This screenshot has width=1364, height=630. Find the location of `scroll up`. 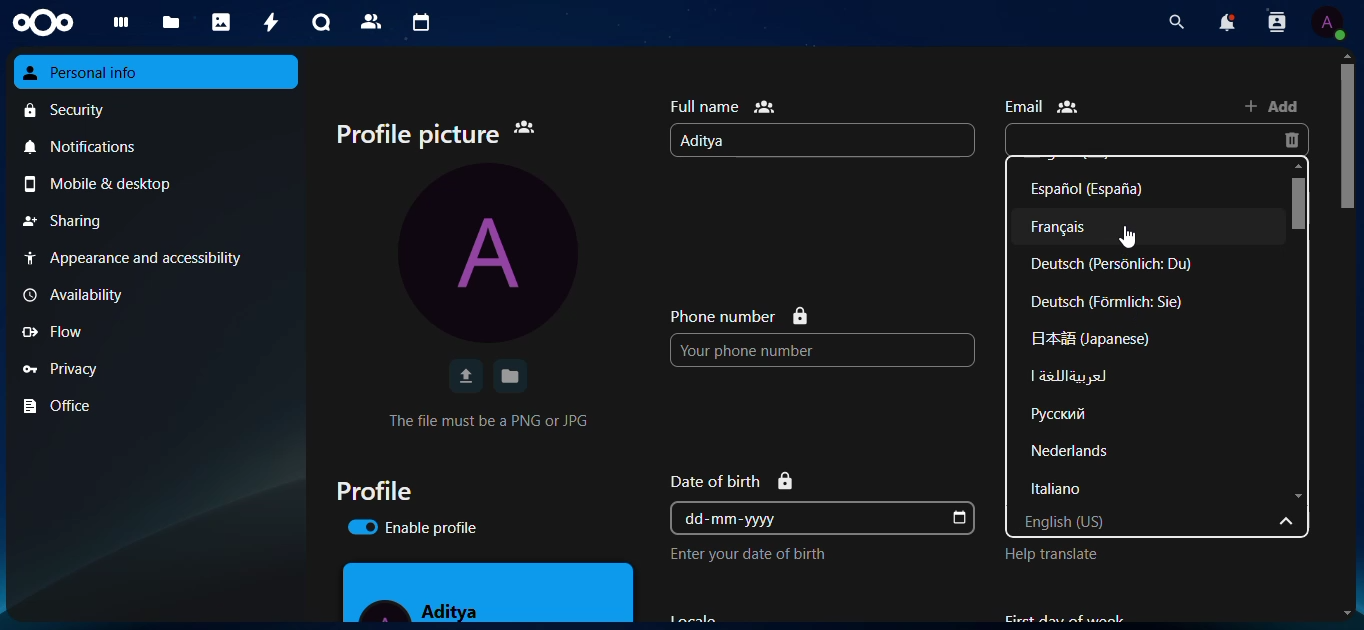

scroll up is located at coordinates (1300, 166).